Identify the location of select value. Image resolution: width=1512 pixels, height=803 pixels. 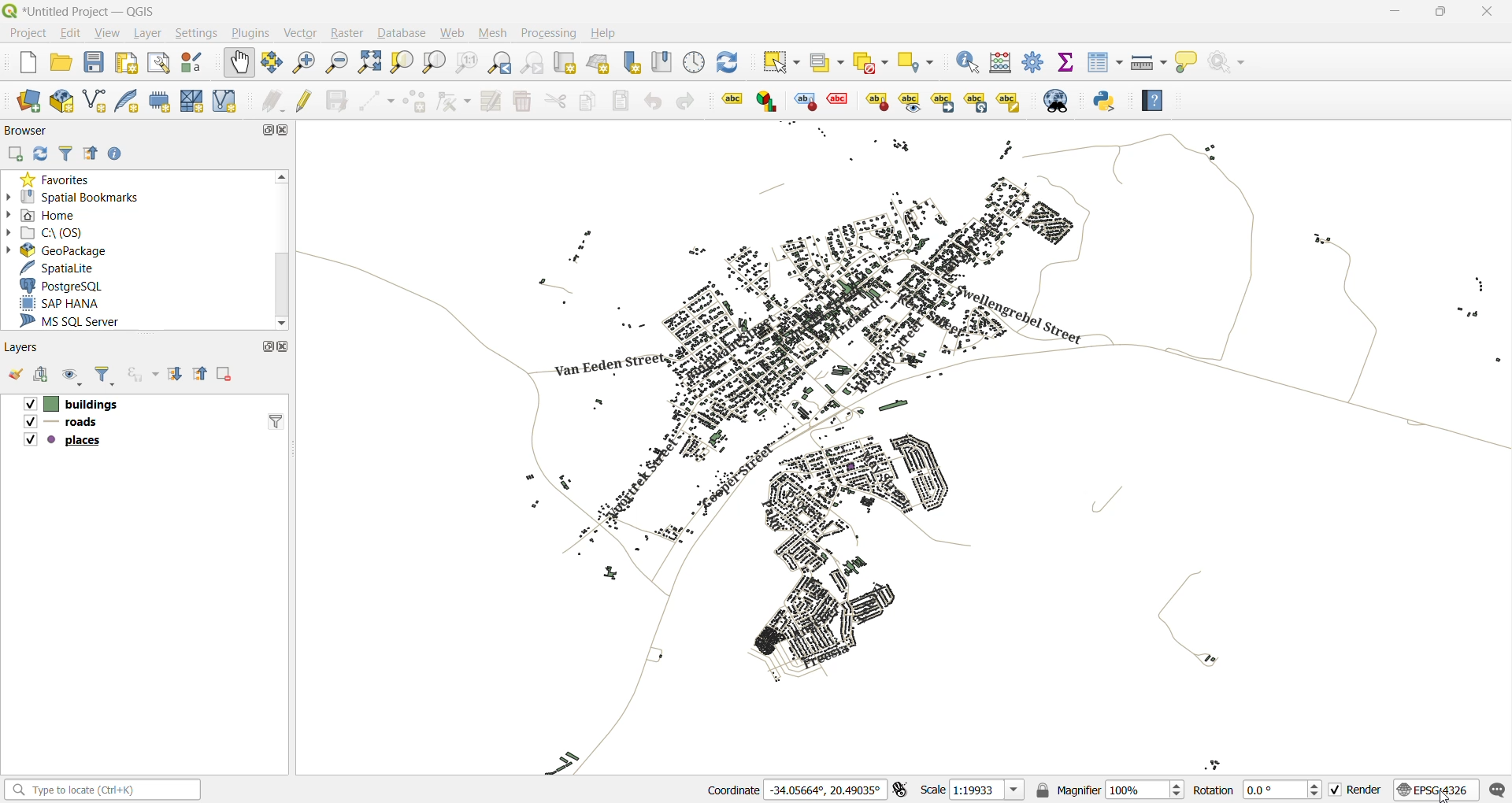
(827, 63).